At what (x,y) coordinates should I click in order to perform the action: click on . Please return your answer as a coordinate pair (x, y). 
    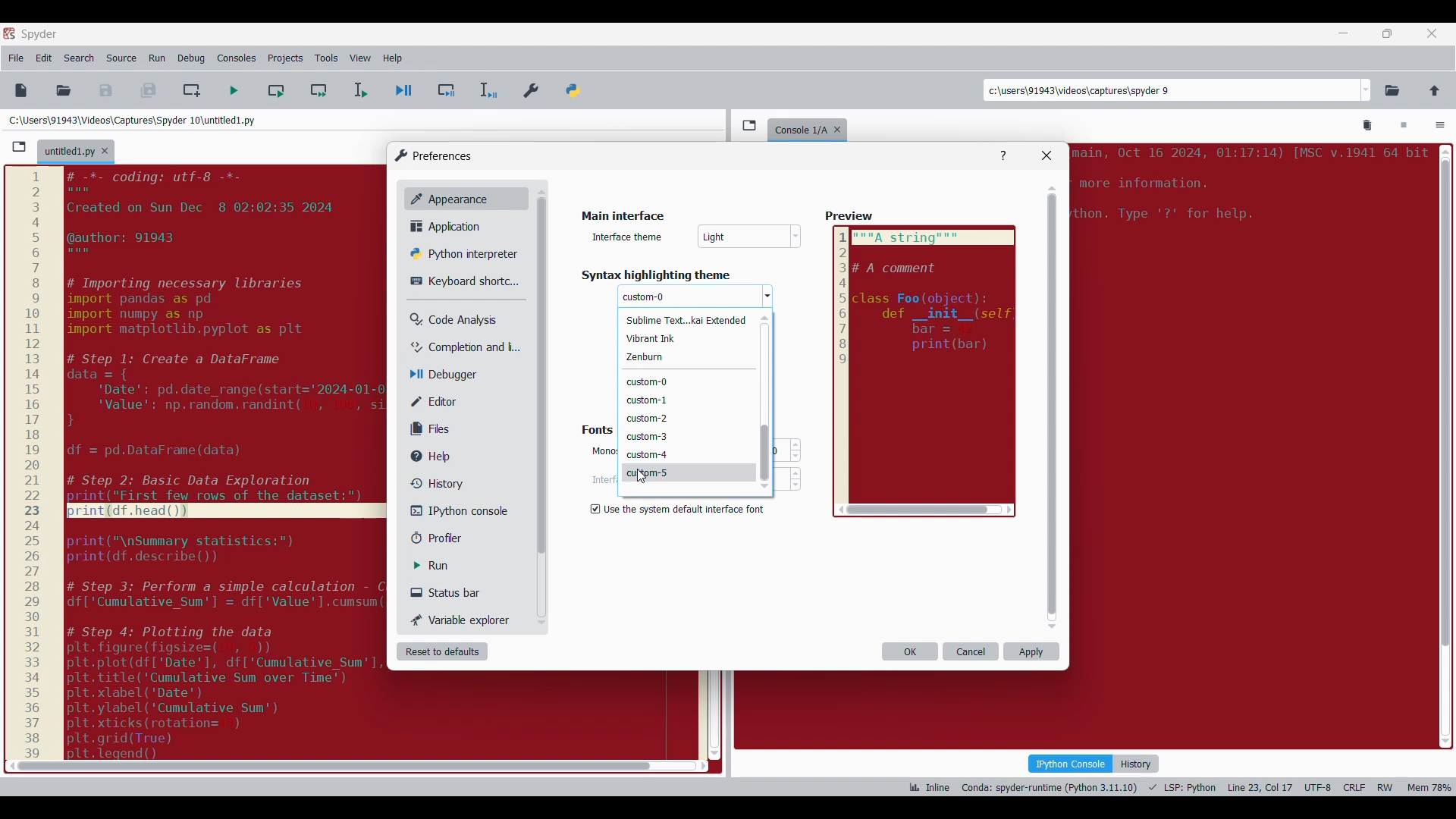
    Looking at the image, I should click on (751, 238).